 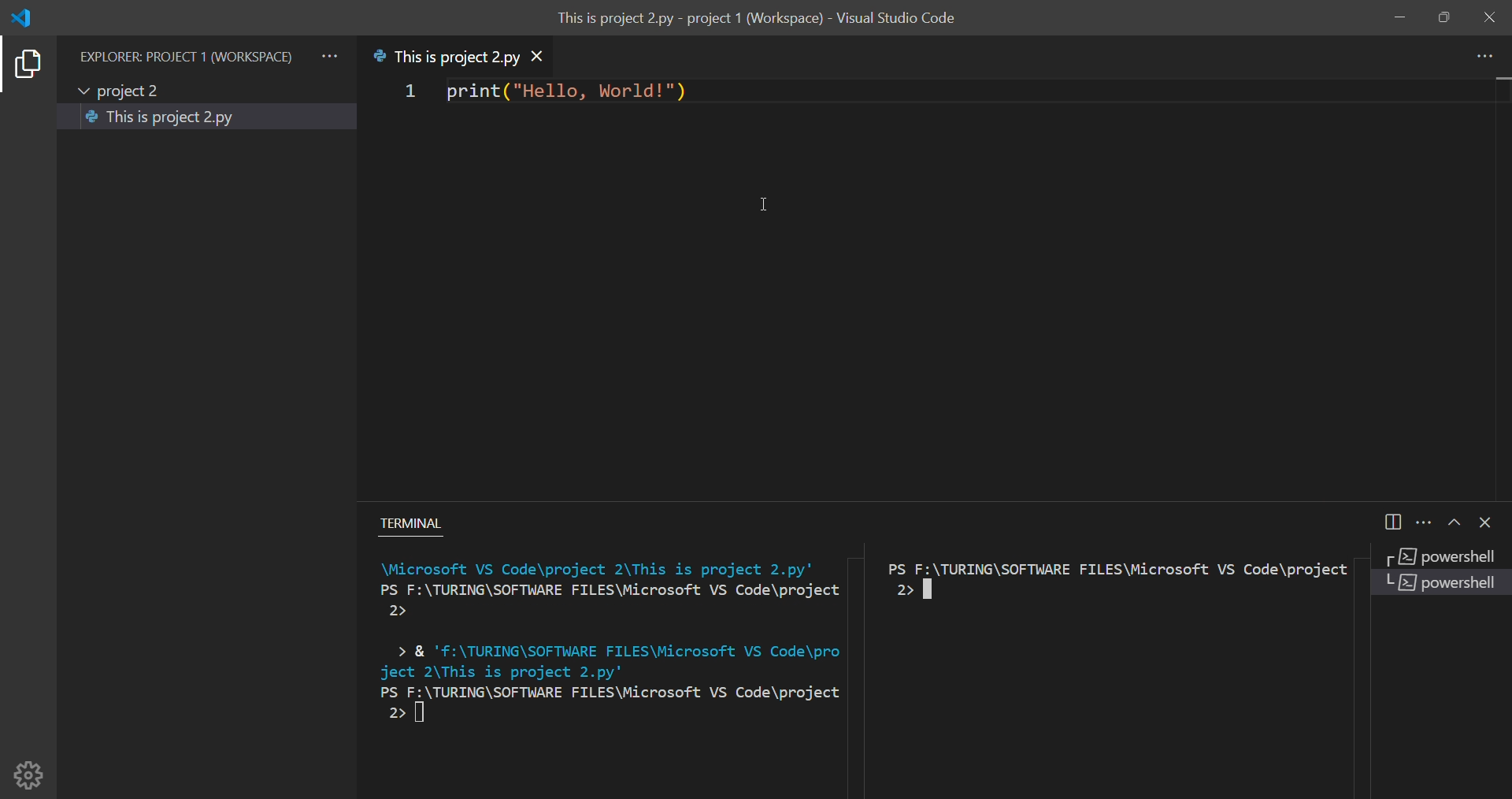 I want to click on powershell, so click(x=1442, y=589).